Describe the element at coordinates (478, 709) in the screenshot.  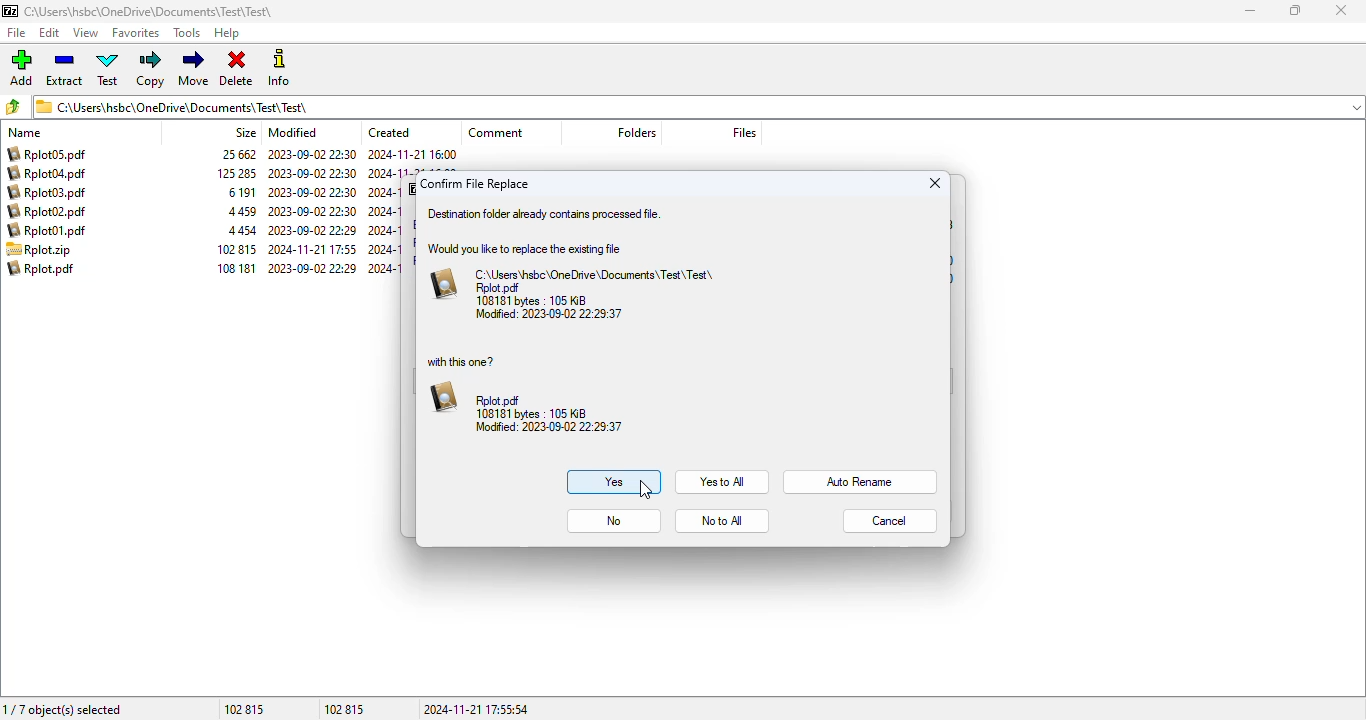
I see `2024-11-21 17:55:54` at that location.